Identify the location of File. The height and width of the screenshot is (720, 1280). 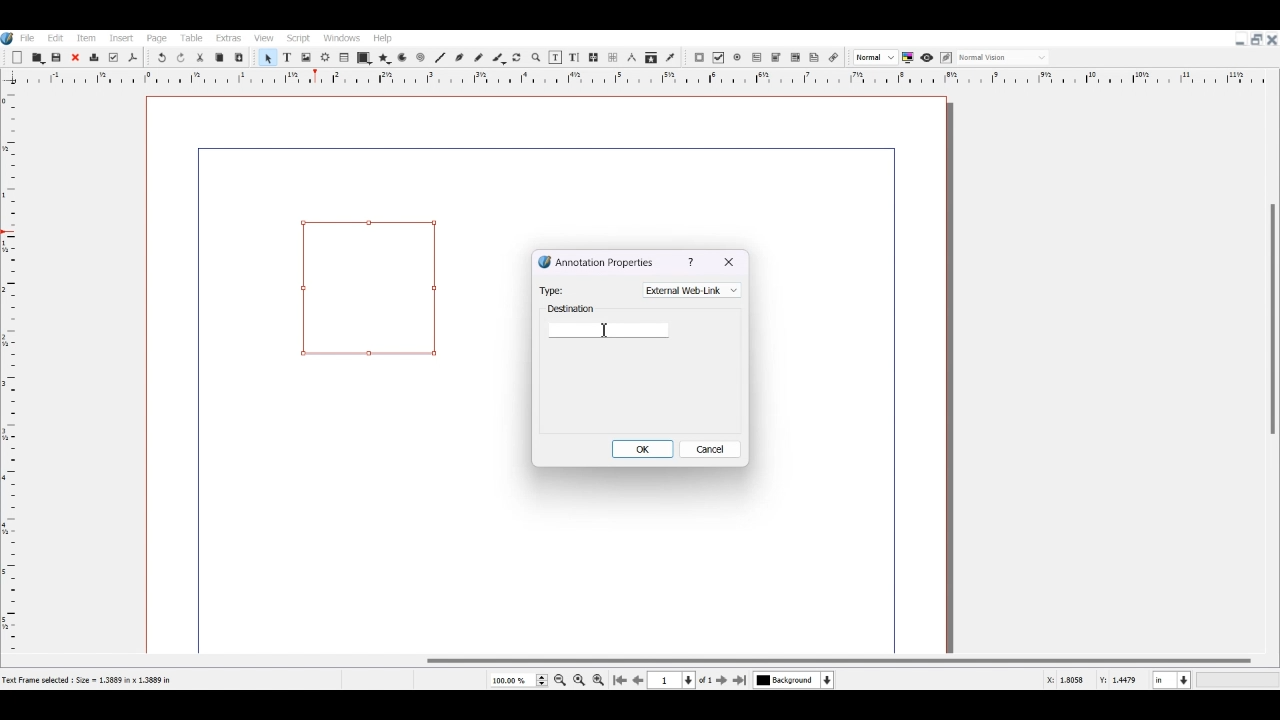
(29, 37).